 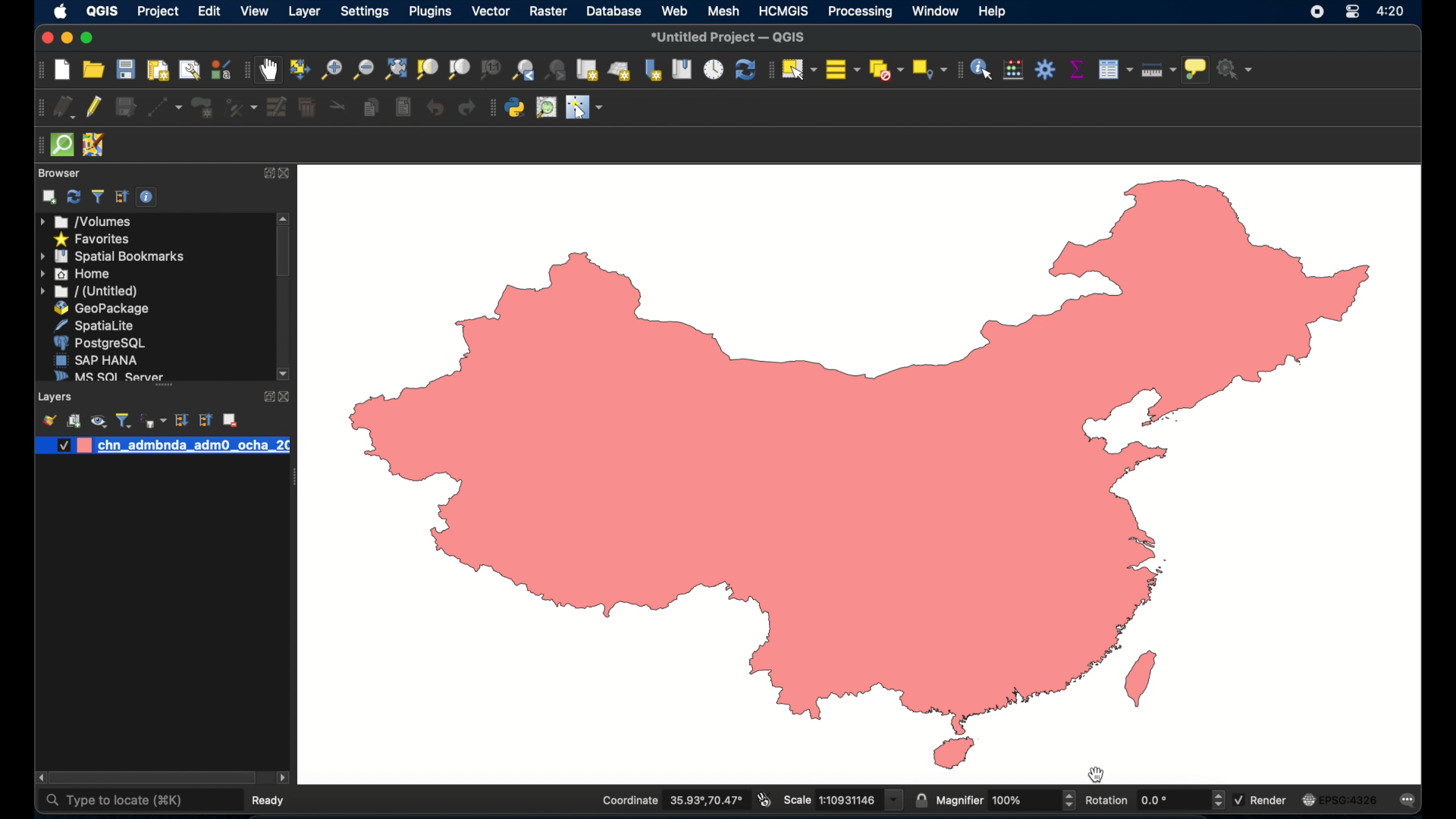 What do you see at coordinates (767, 71) in the screenshot?
I see `selection toolbar` at bounding box center [767, 71].